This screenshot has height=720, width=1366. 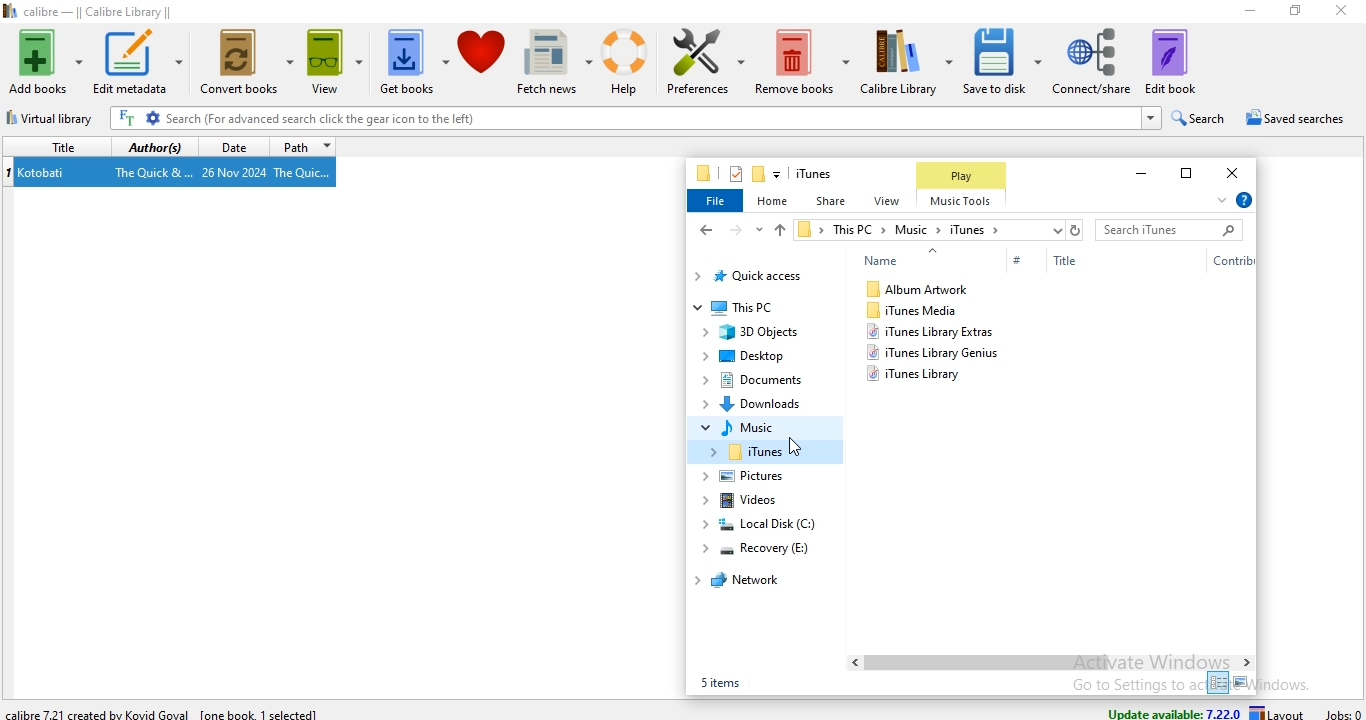 I want to click on 3D Objects, so click(x=753, y=334).